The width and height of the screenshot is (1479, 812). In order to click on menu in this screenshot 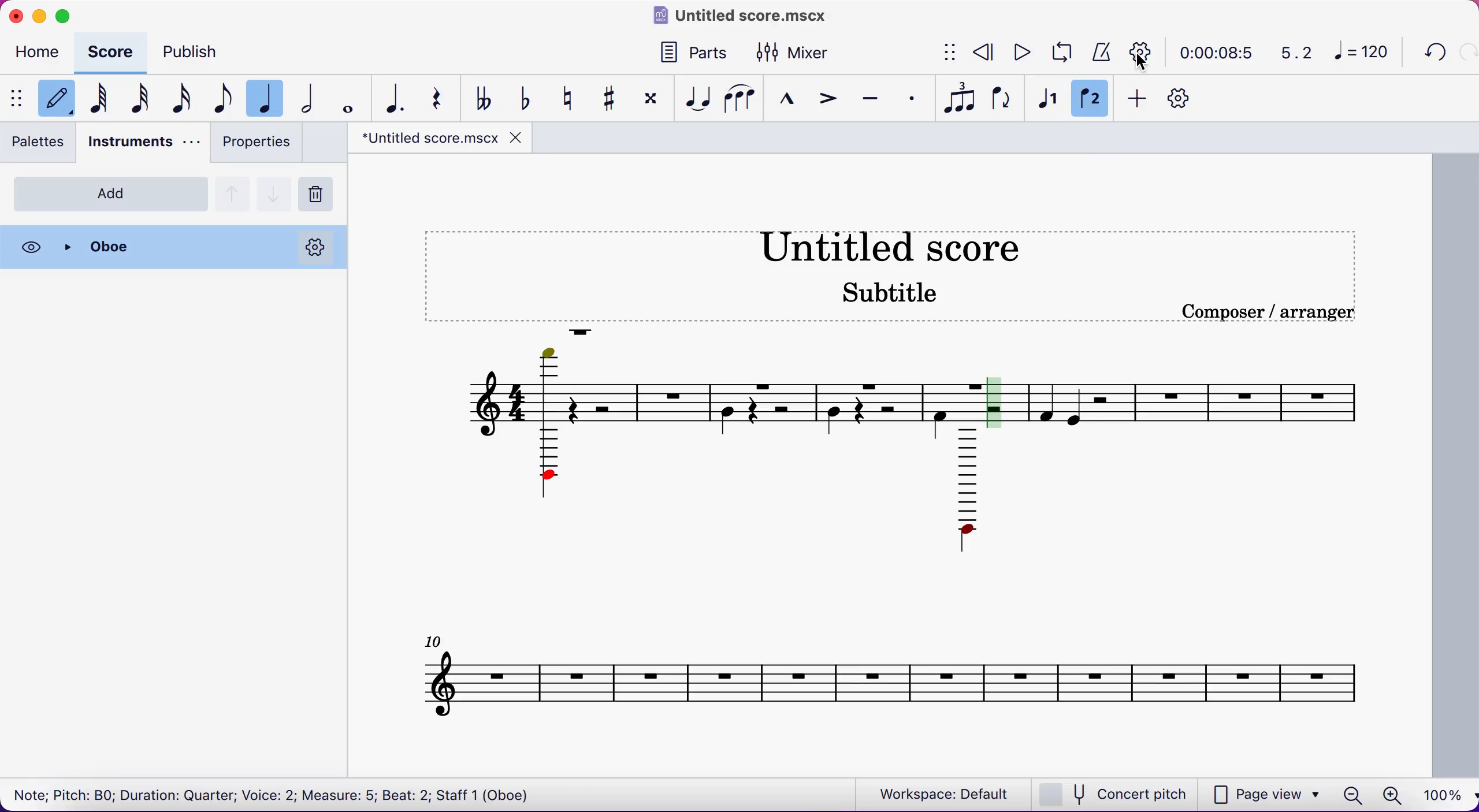, I will do `click(15, 98)`.